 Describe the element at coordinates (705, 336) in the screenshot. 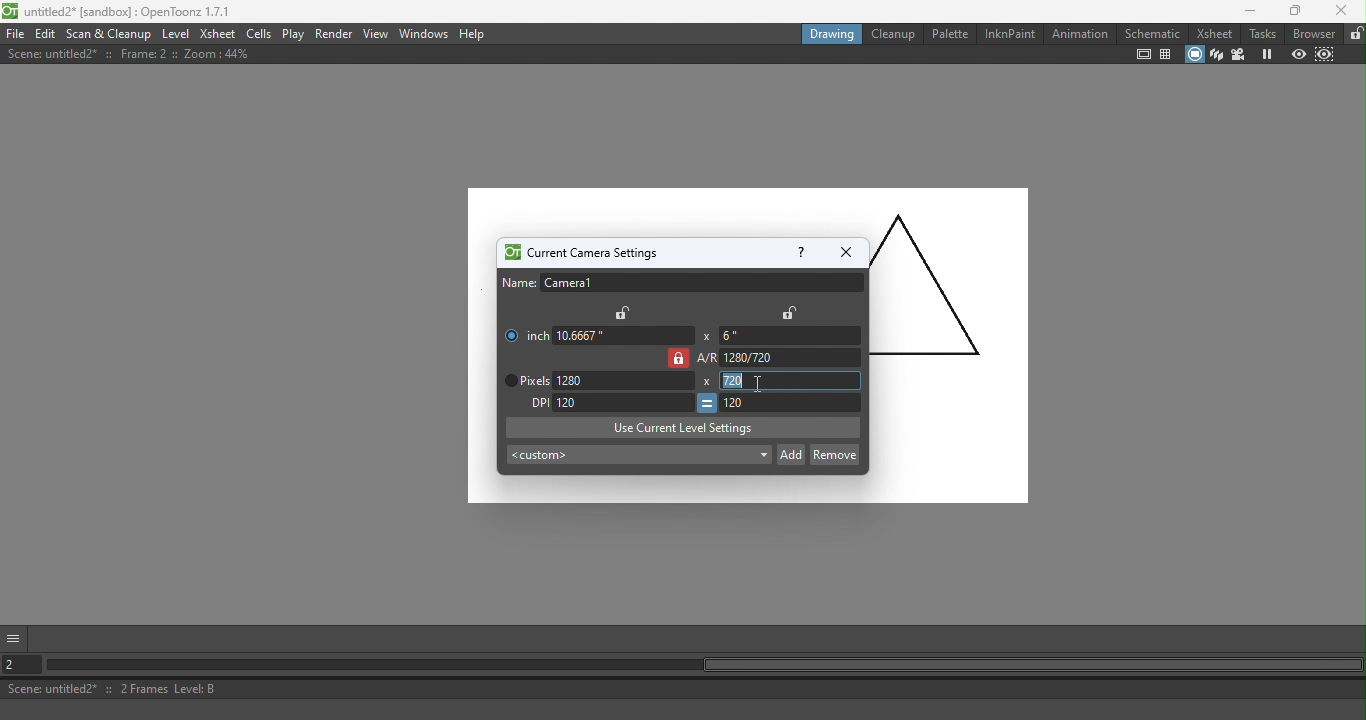

I see `X` at that location.